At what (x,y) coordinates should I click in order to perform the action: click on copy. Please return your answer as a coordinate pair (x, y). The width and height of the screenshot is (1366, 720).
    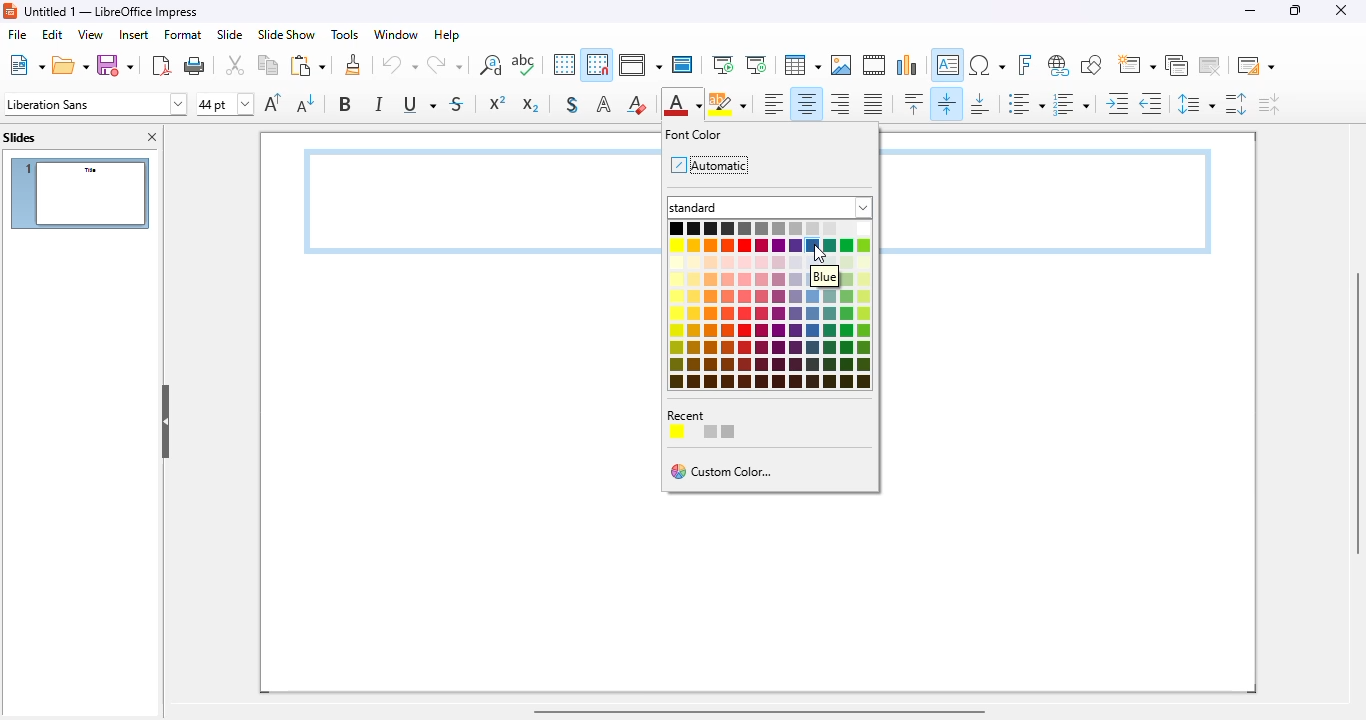
    Looking at the image, I should click on (268, 65).